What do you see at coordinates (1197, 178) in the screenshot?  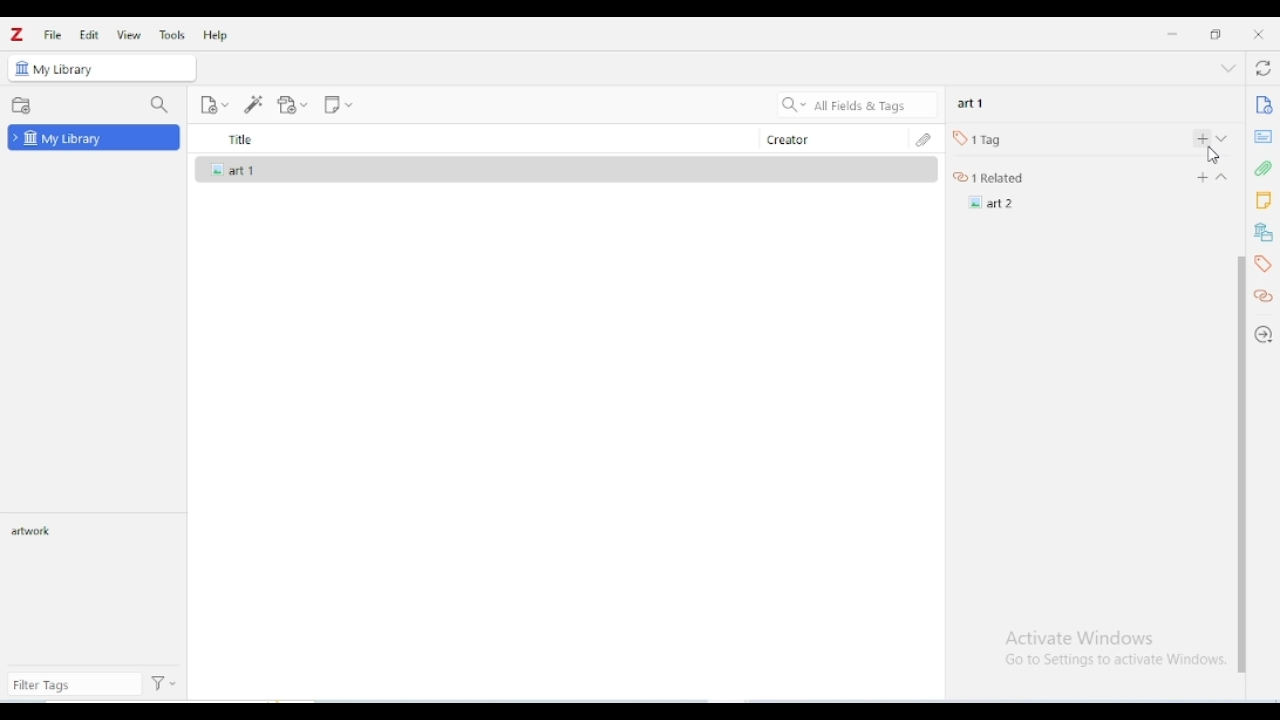 I see `Add` at bounding box center [1197, 178].